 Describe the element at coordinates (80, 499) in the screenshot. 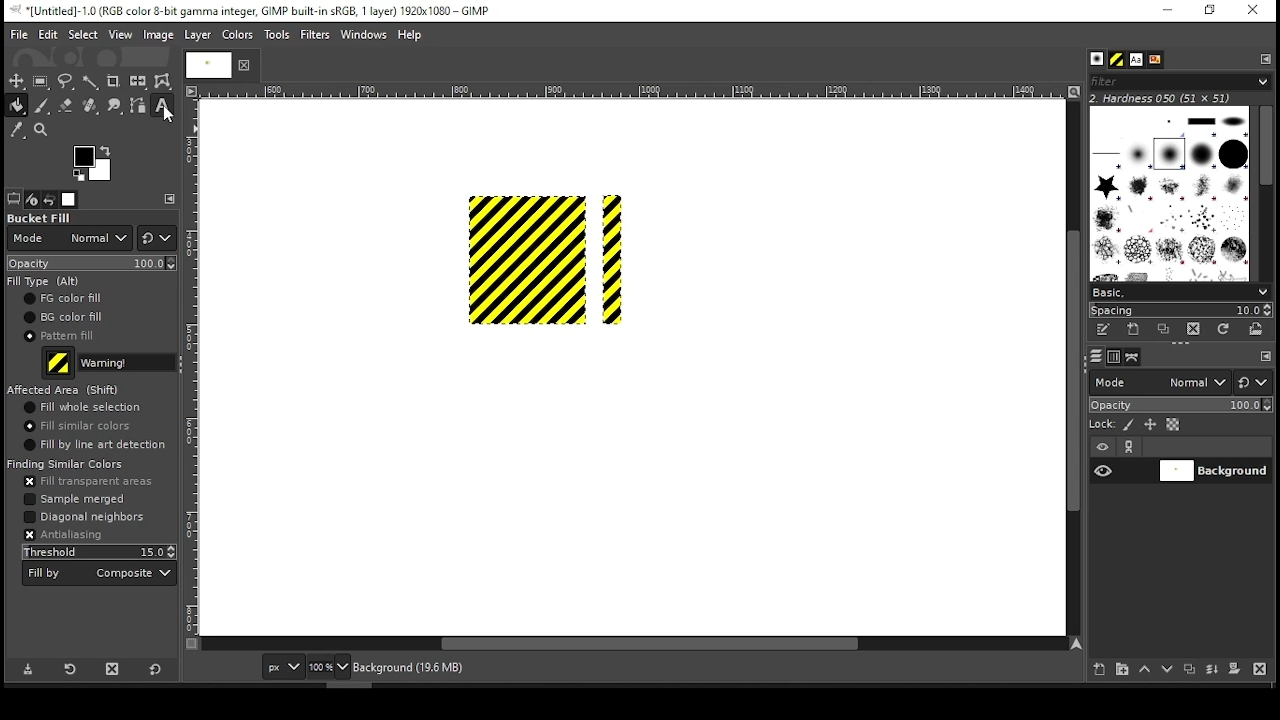

I see `sampled merged` at that location.